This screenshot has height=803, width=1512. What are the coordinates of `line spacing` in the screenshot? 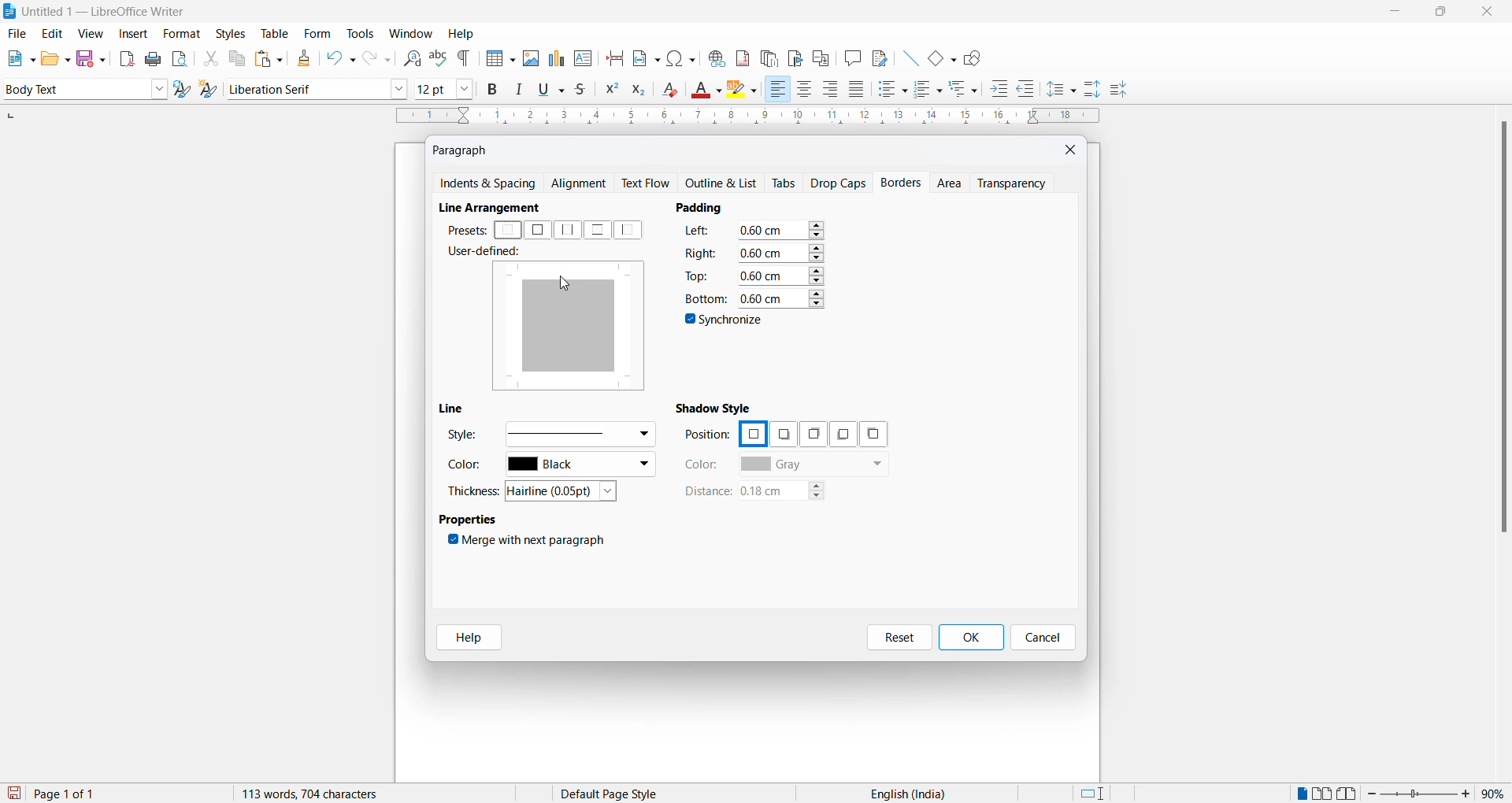 It's located at (1064, 90).